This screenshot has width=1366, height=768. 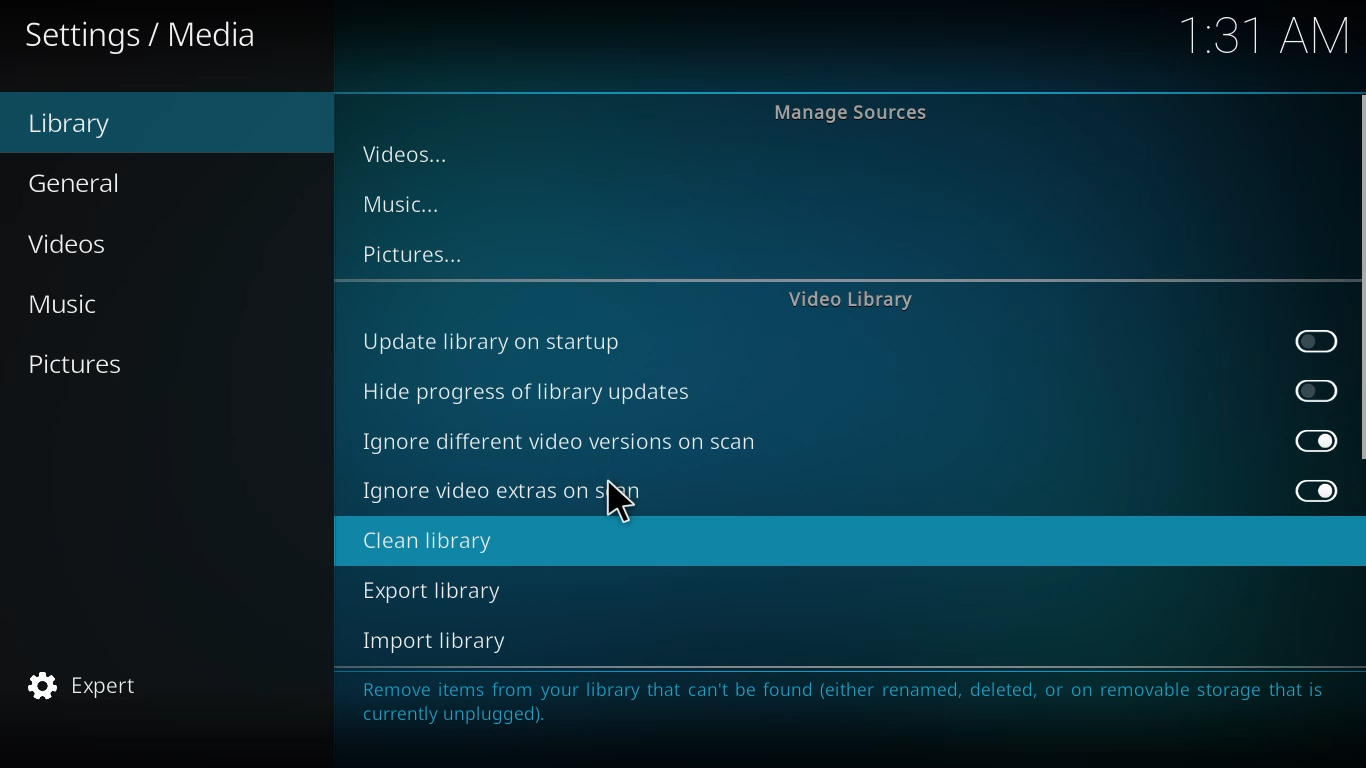 I want to click on Music, so click(x=65, y=306).